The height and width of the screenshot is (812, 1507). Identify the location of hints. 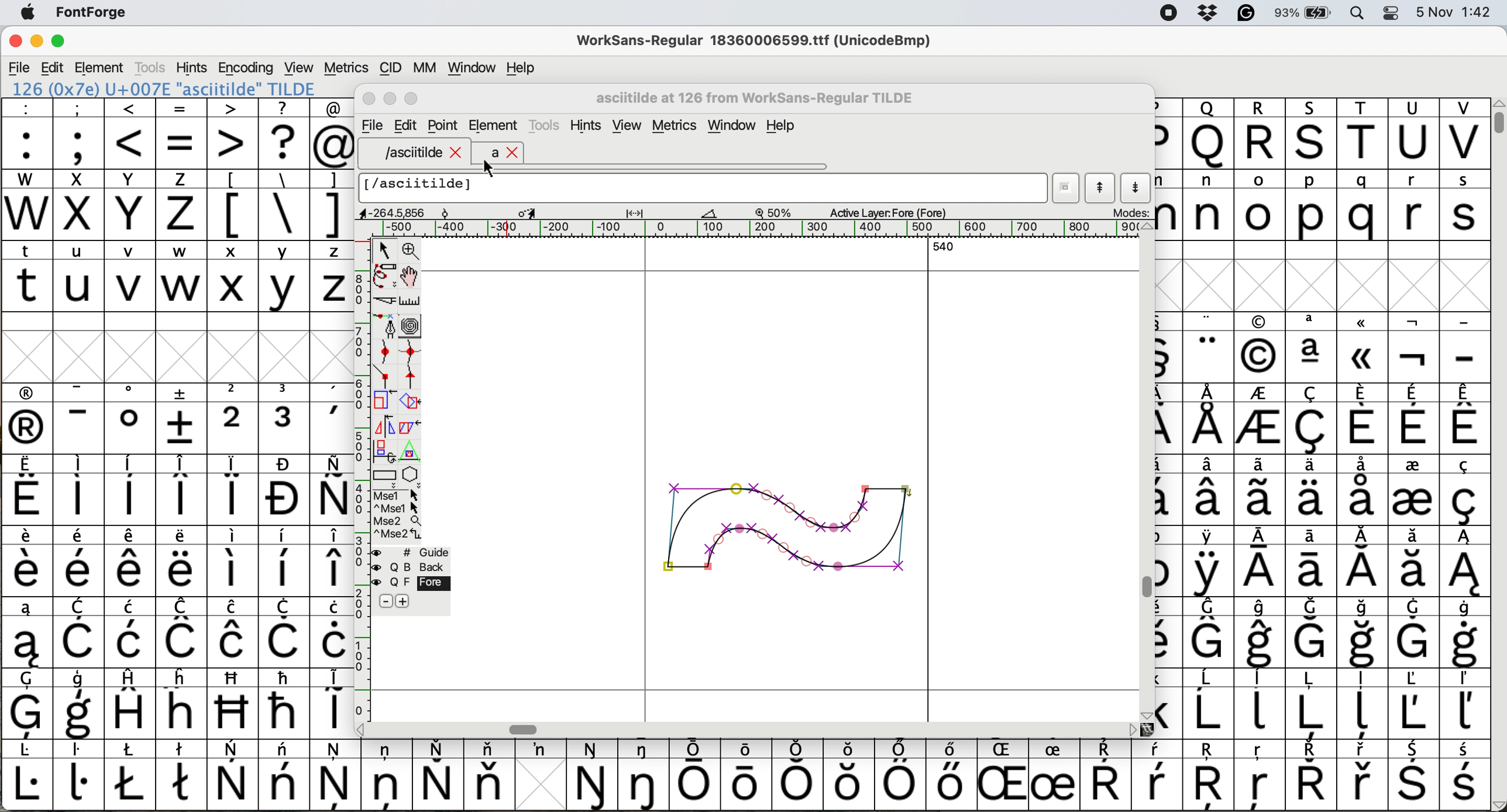
(588, 126).